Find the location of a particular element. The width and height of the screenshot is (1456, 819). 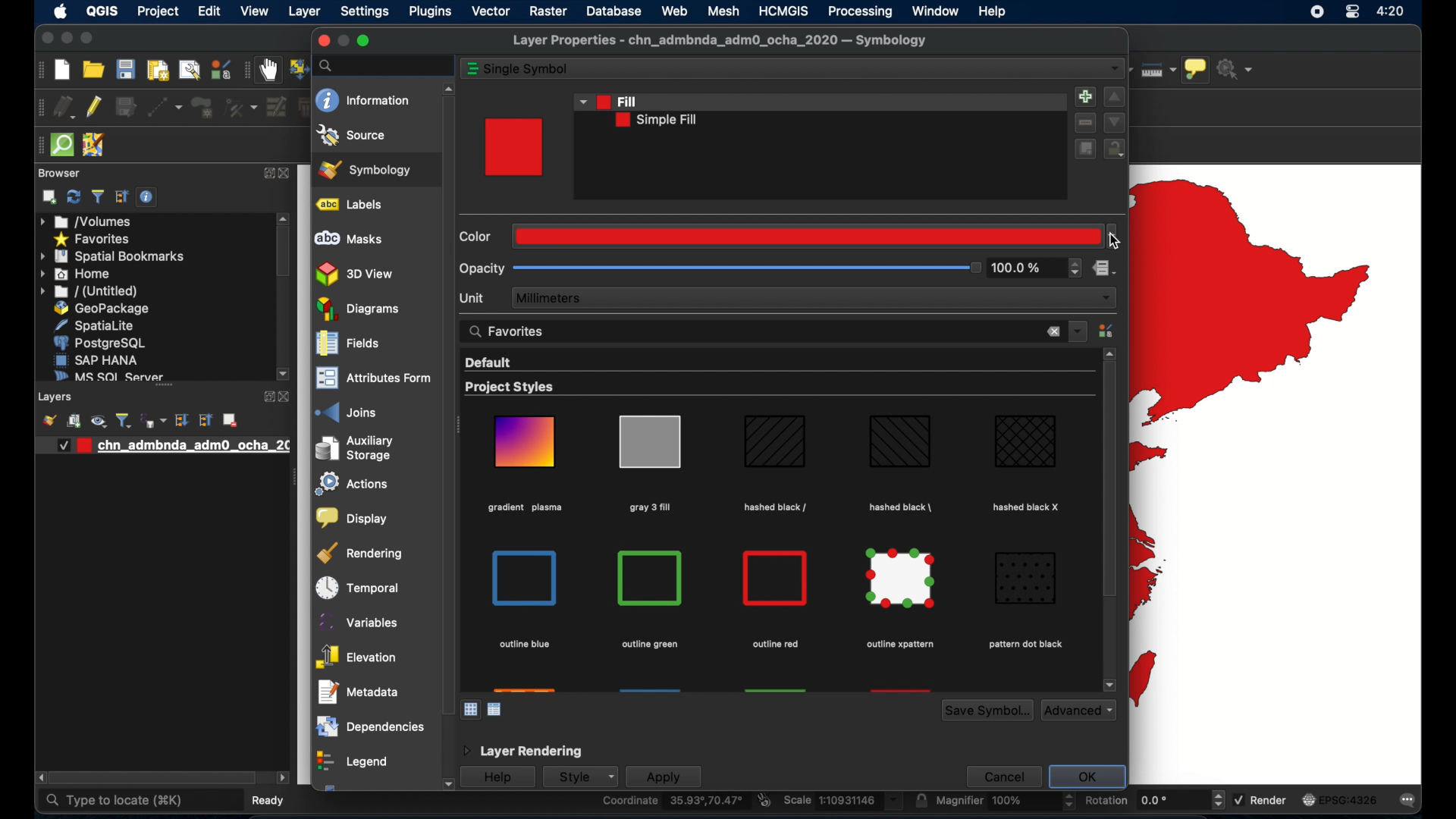

opacity slider is located at coordinates (746, 269).